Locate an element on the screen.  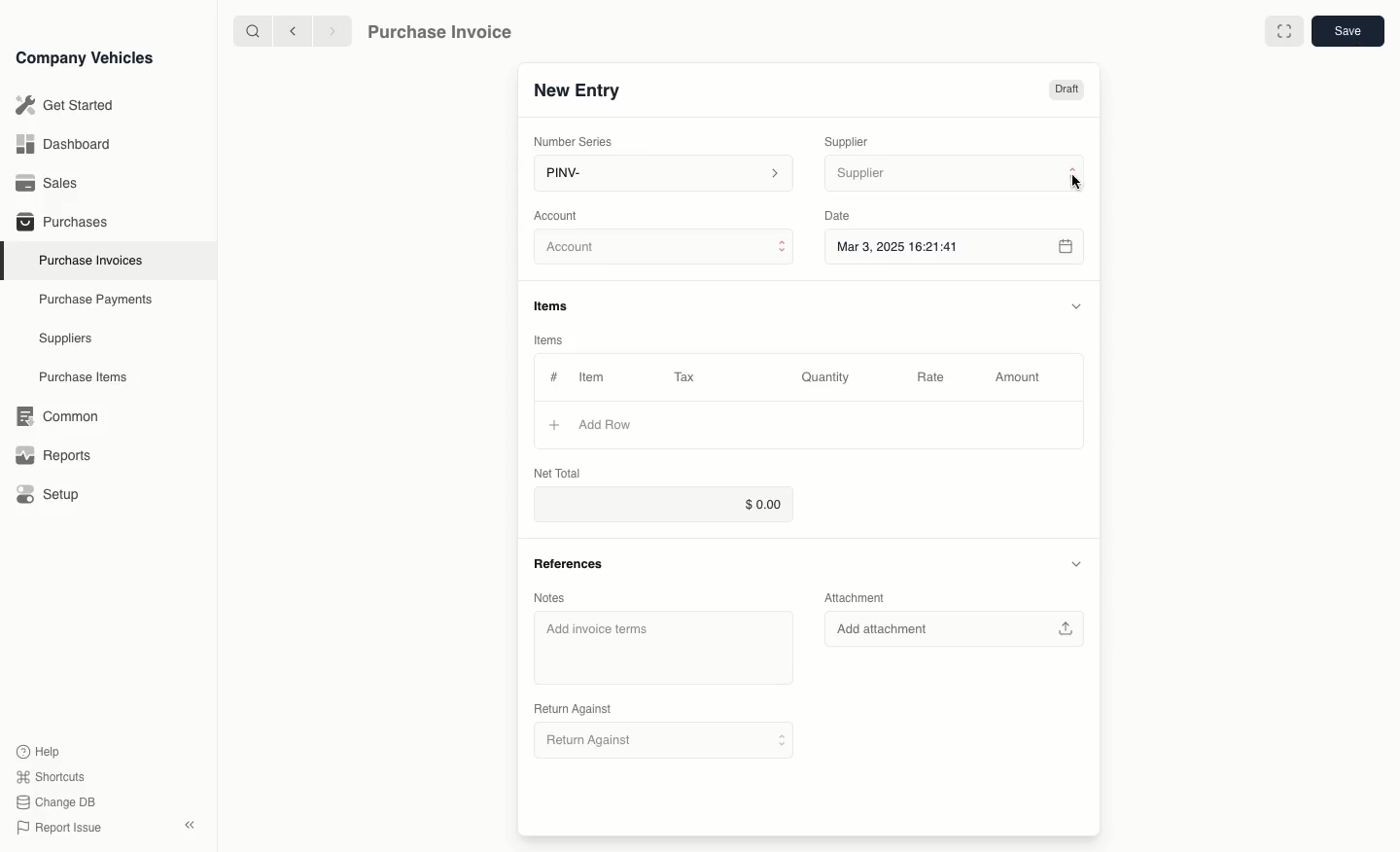
Add invoice terms. is located at coordinates (661, 648).